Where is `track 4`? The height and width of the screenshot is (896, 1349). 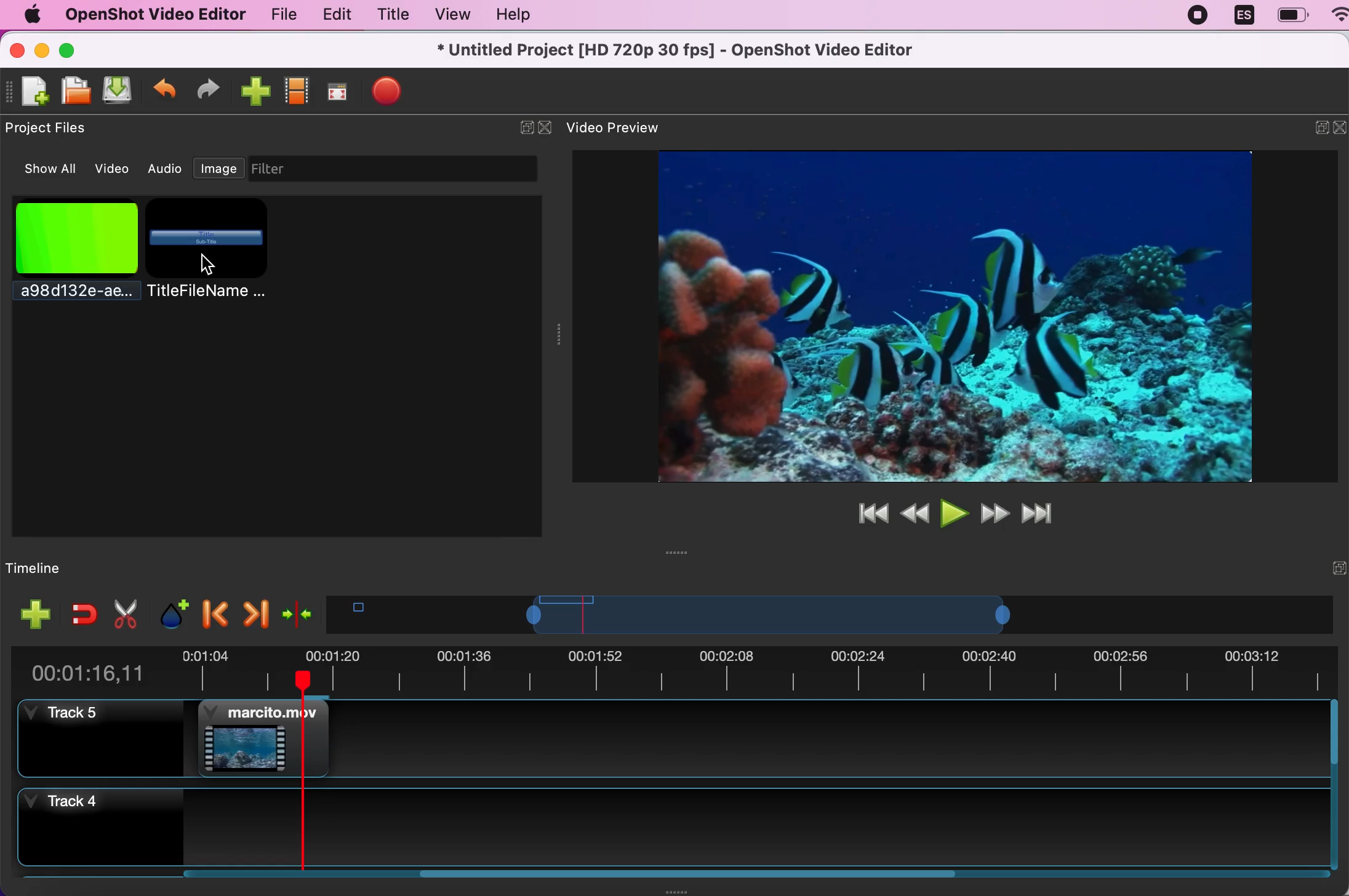
track 4 is located at coordinates (668, 830).